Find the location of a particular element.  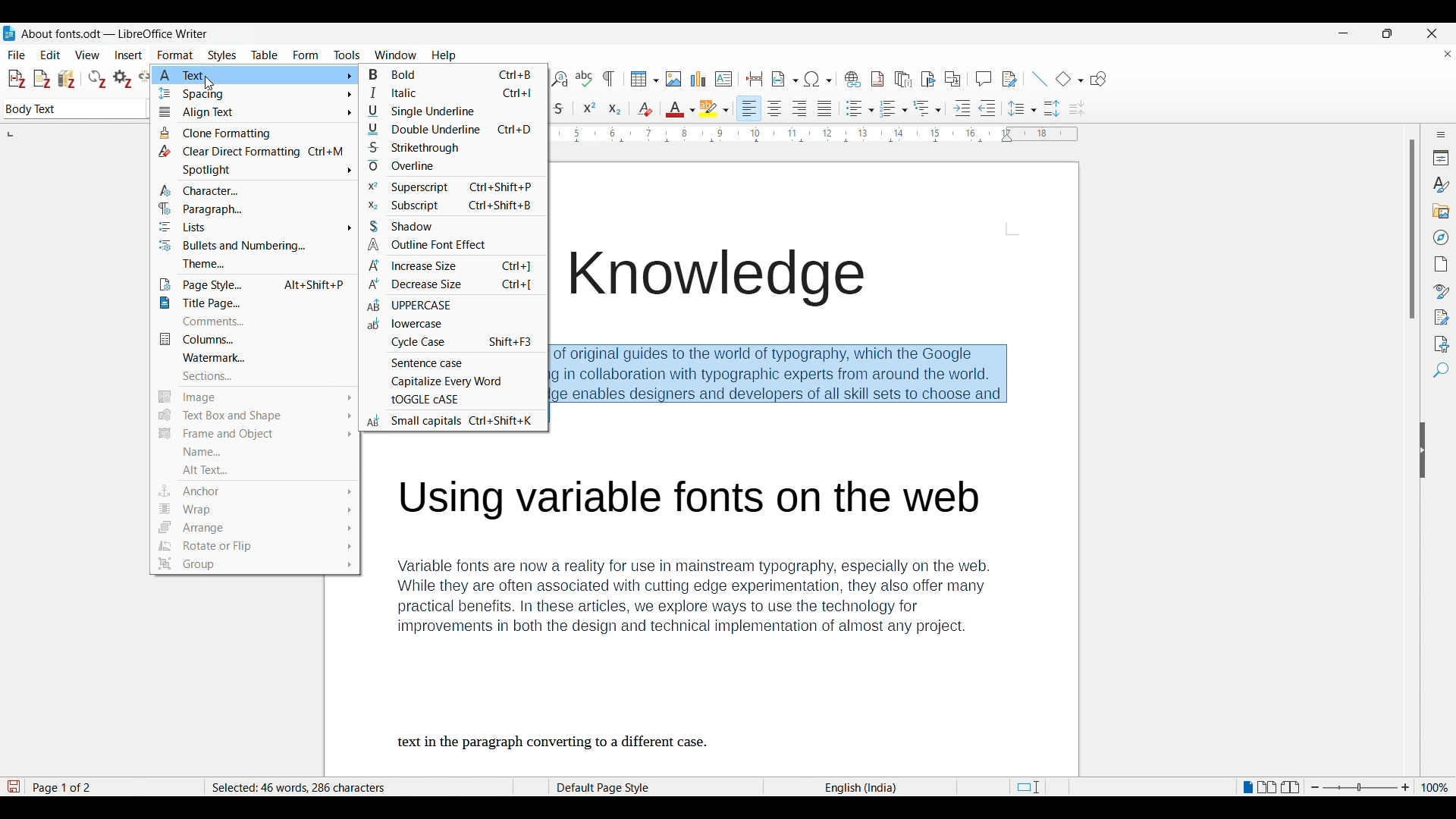

Clear direct formatting  is located at coordinates (645, 109).